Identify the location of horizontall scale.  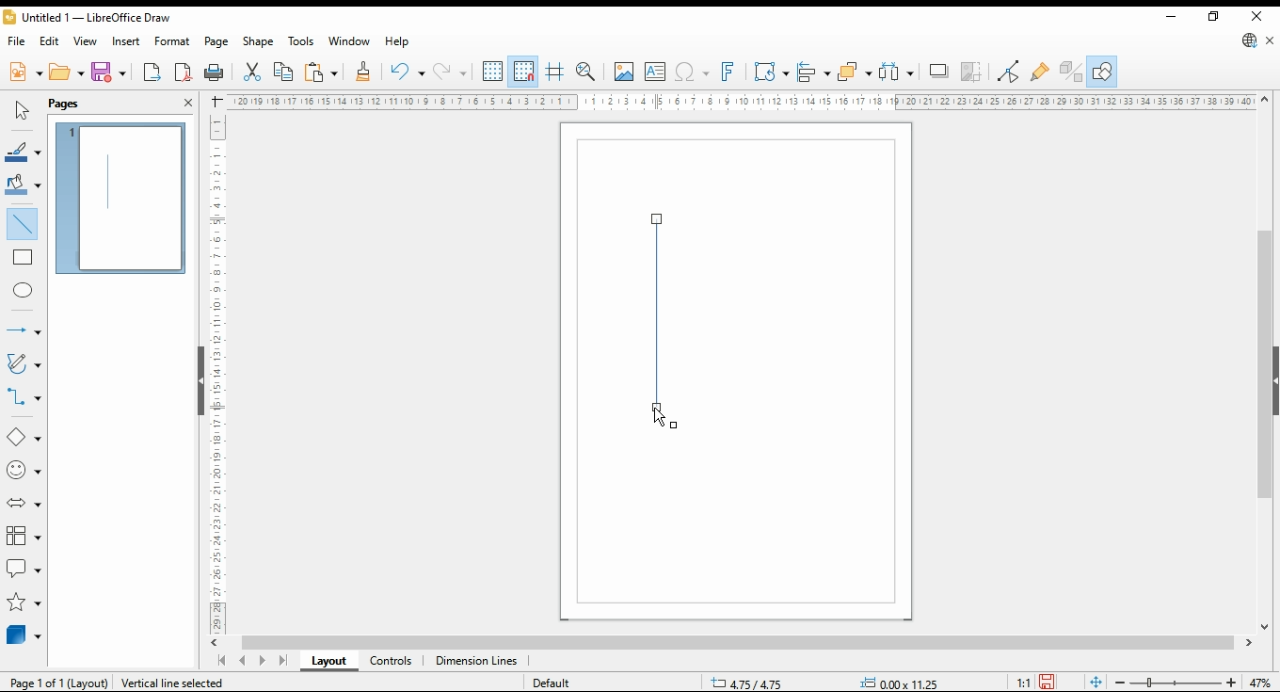
(740, 101).